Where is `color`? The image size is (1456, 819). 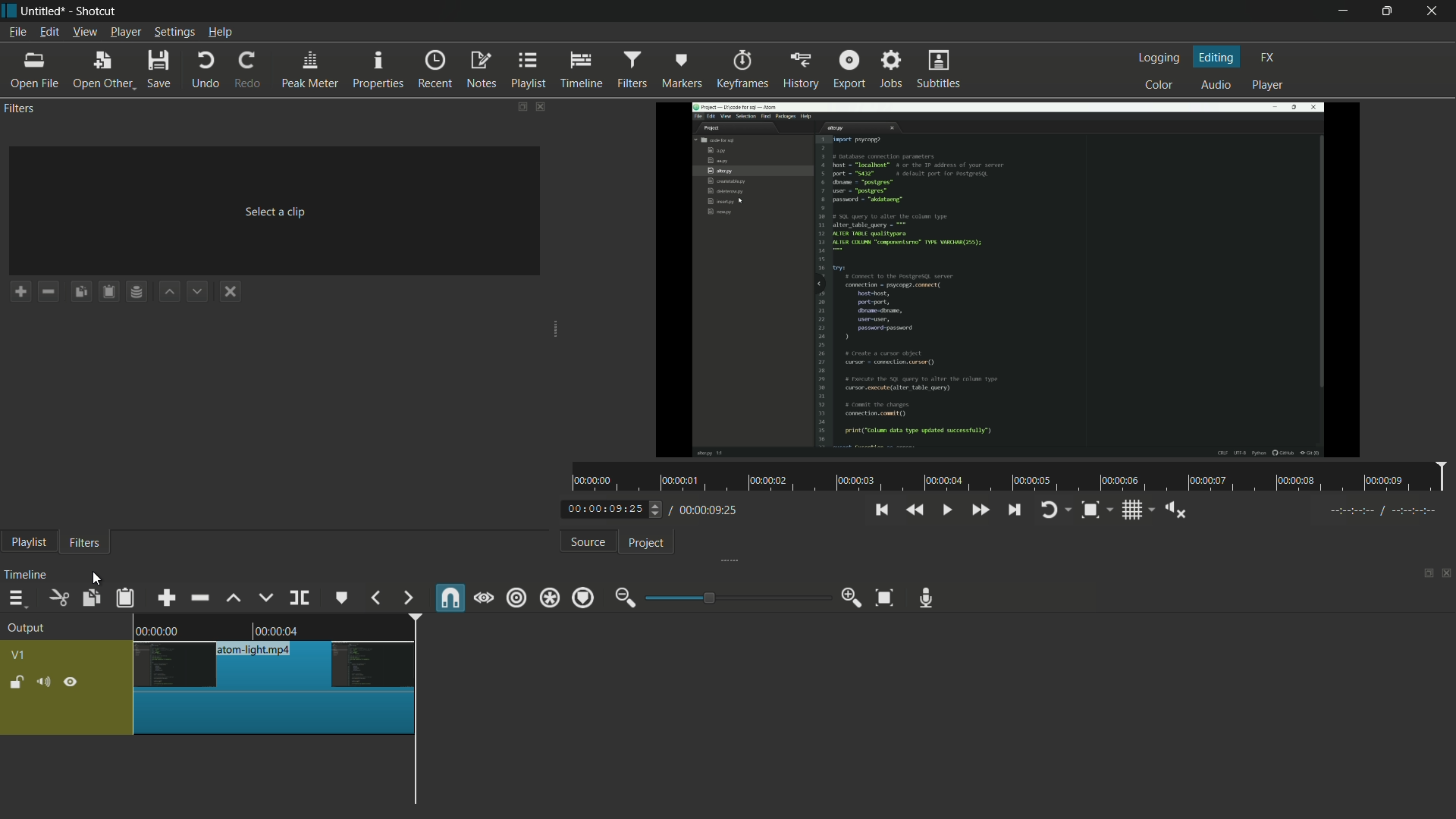 color is located at coordinates (1159, 83).